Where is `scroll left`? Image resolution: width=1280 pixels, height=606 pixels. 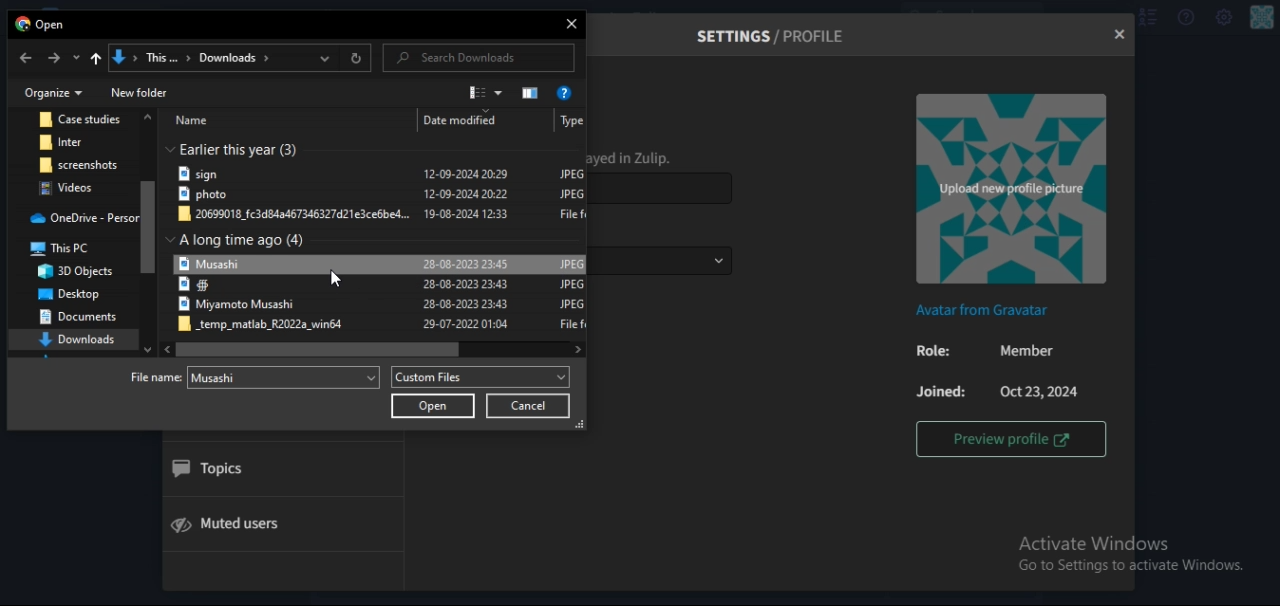
scroll left is located at coordinates (164, 350).